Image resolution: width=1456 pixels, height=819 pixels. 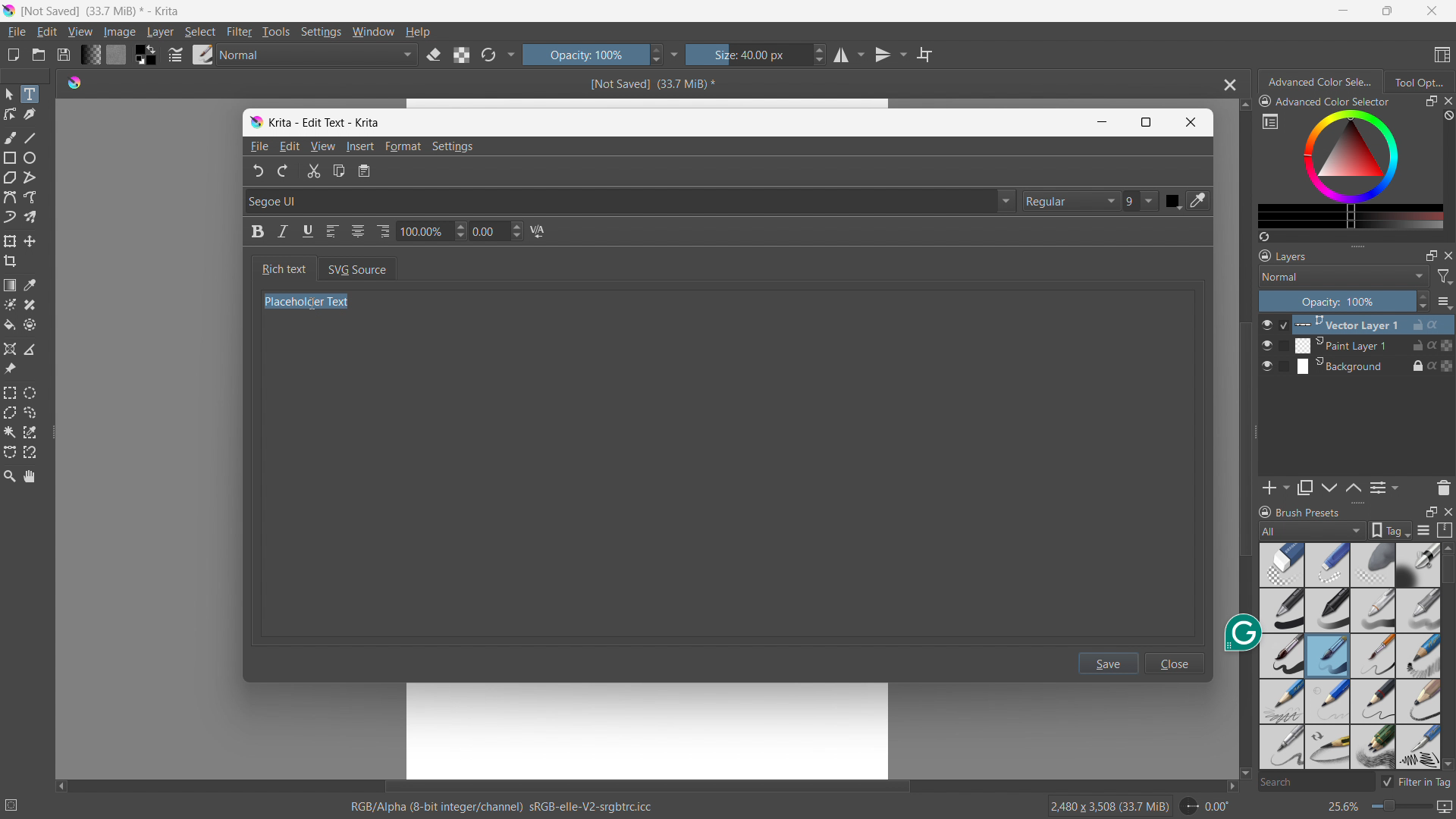 I want to click on close, so click(x=1447, y=101).